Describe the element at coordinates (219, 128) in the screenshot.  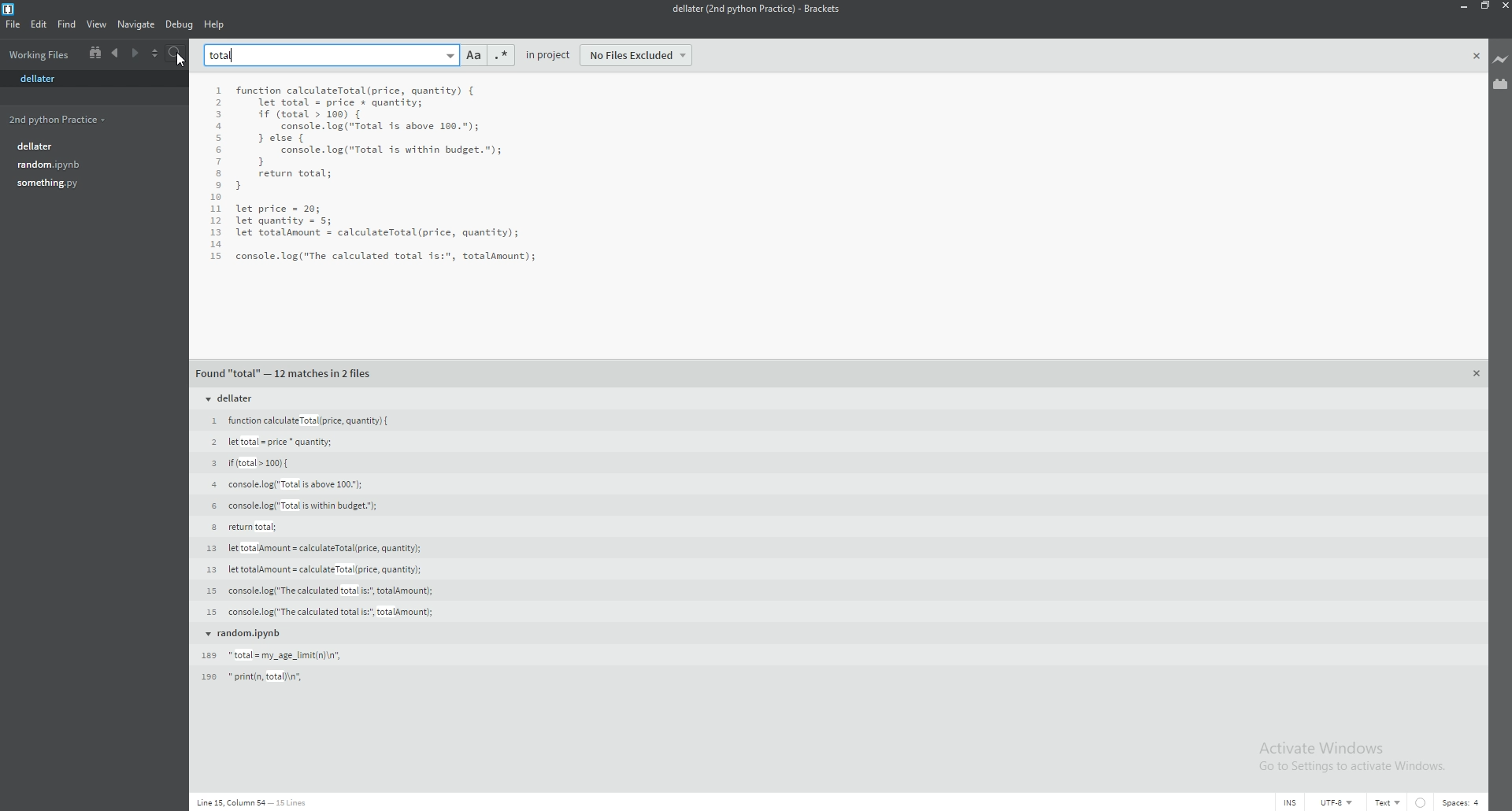
I see `4` at that location.